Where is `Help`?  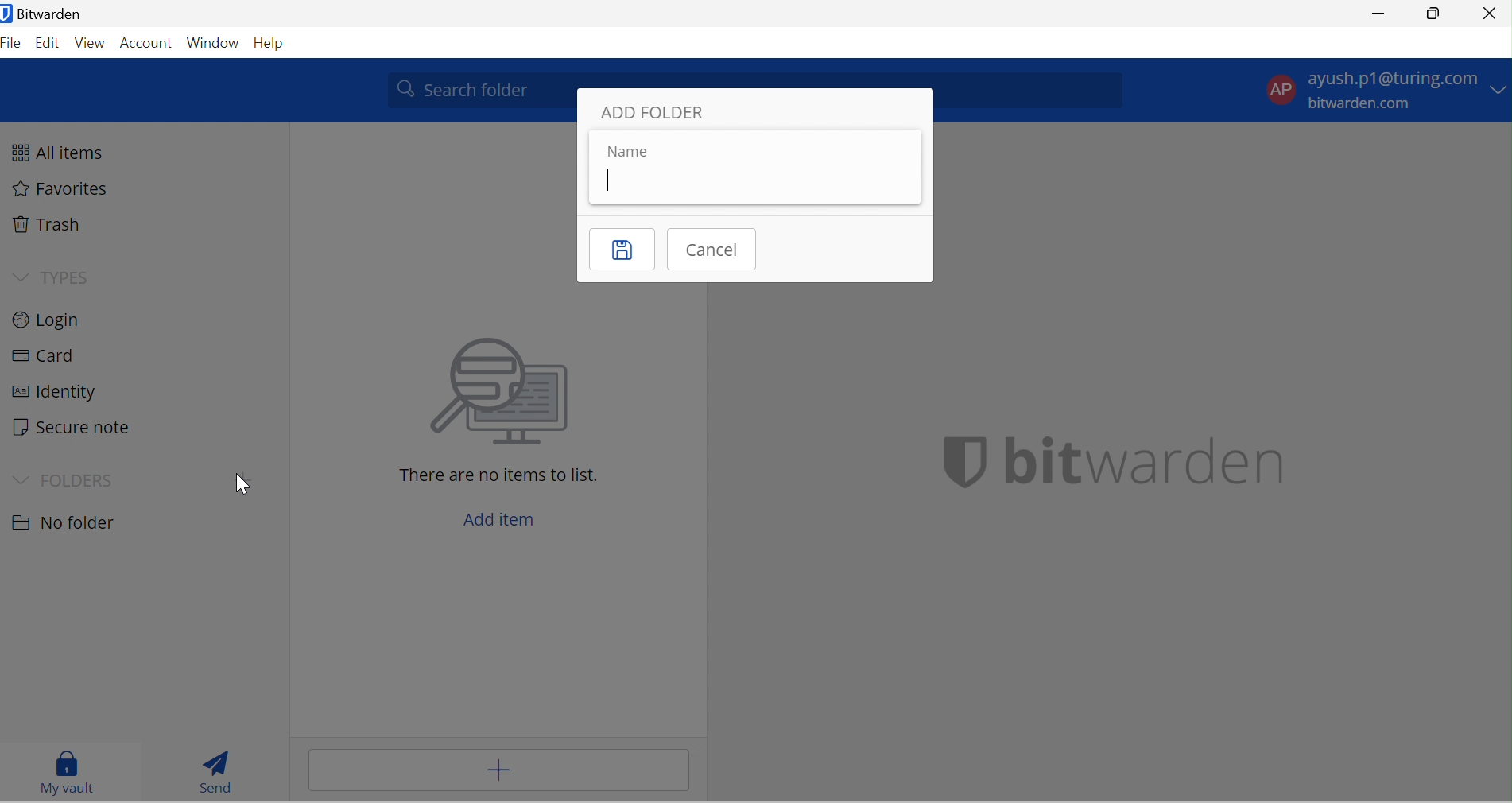 Help is located at coordinates (273, 43).